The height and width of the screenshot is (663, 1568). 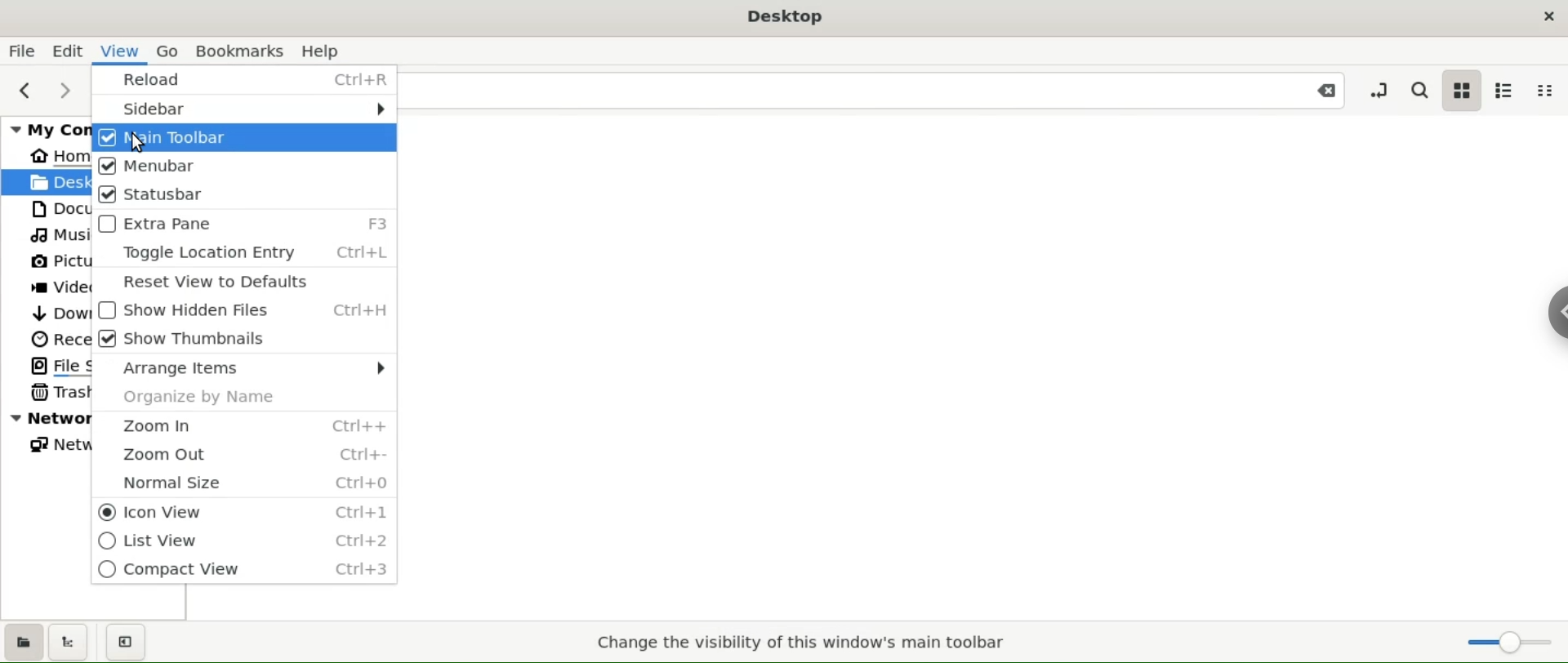 What do you see at coordinates (245, 111) in the screenshot?
I see `sidebar` at bounding box center [245, 111].